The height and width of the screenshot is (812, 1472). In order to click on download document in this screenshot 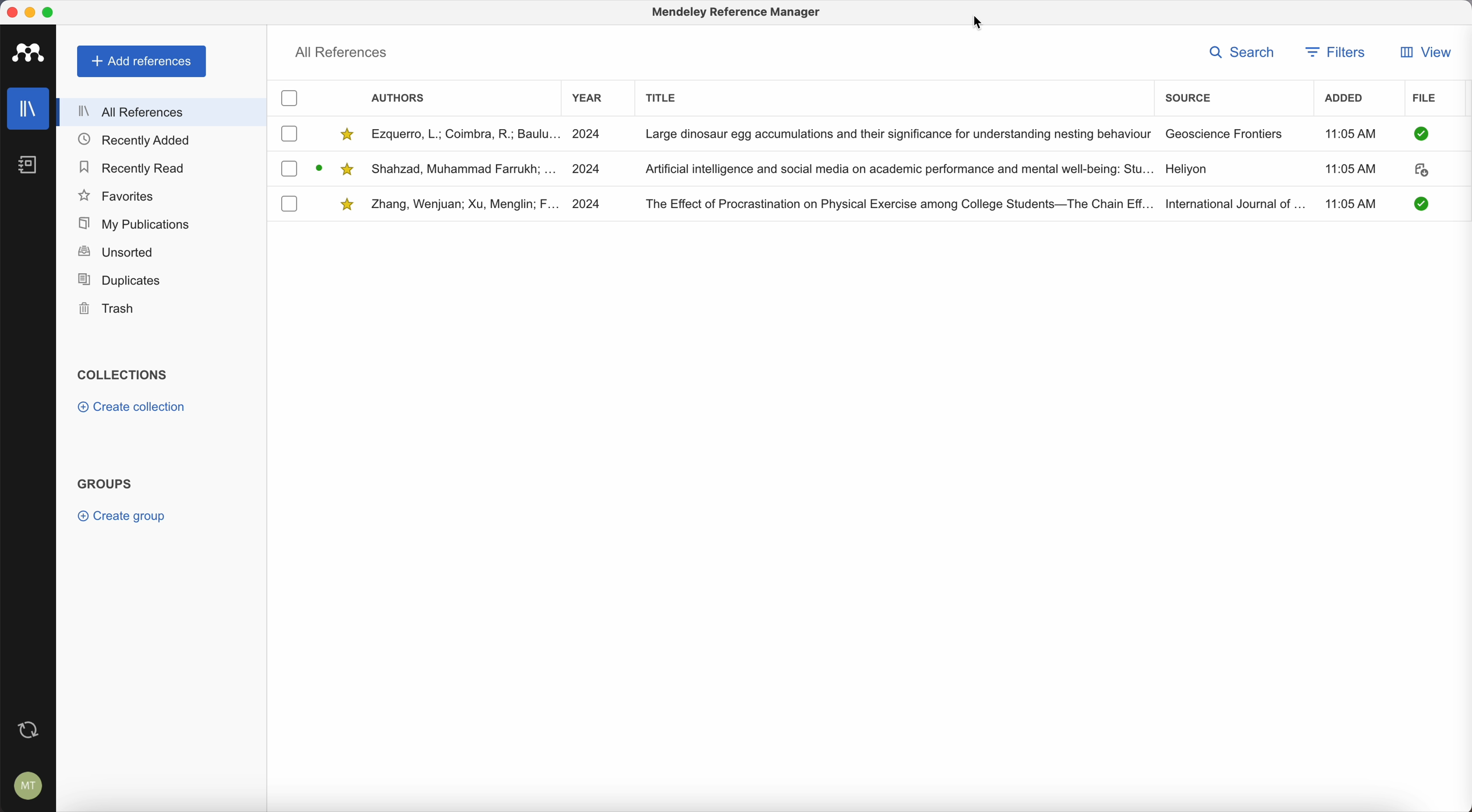, I will do `click(321, 167)`.